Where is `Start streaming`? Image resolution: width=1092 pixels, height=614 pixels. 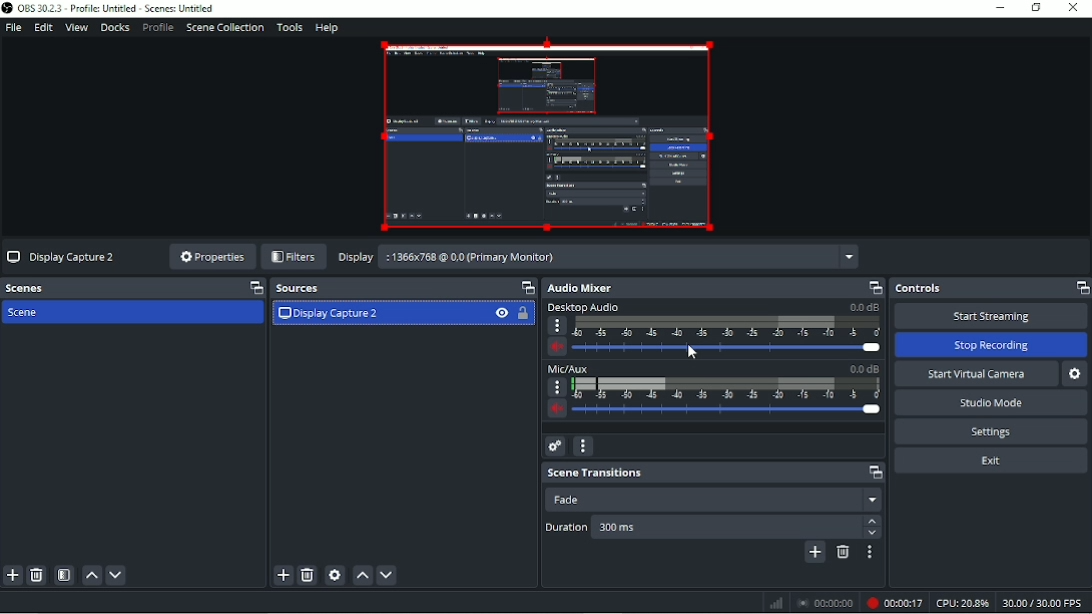 Start streaming is located at coordinates (990, 316).